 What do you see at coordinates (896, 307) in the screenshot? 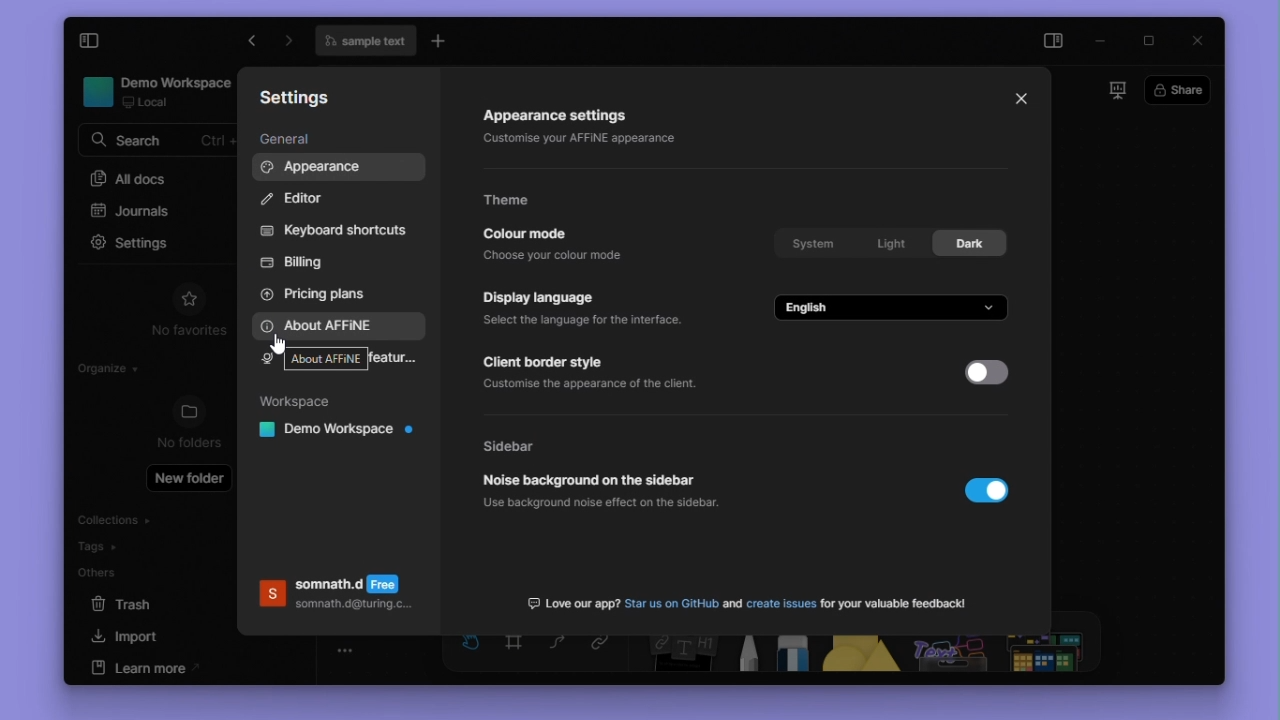
I see `English` at bounding box center [896, 307].